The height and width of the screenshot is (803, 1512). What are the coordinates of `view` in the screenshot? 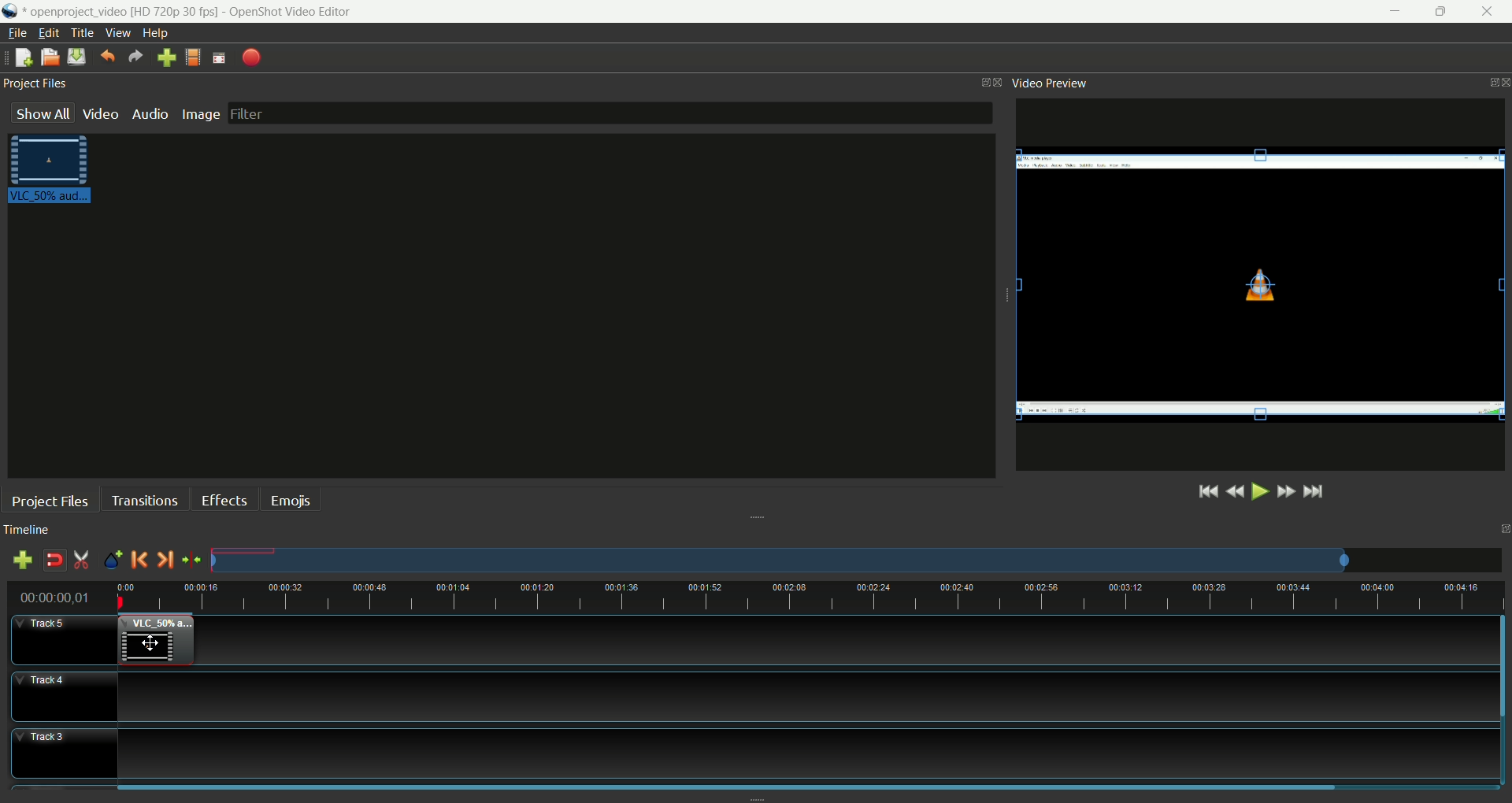 It's located at (121, 31).